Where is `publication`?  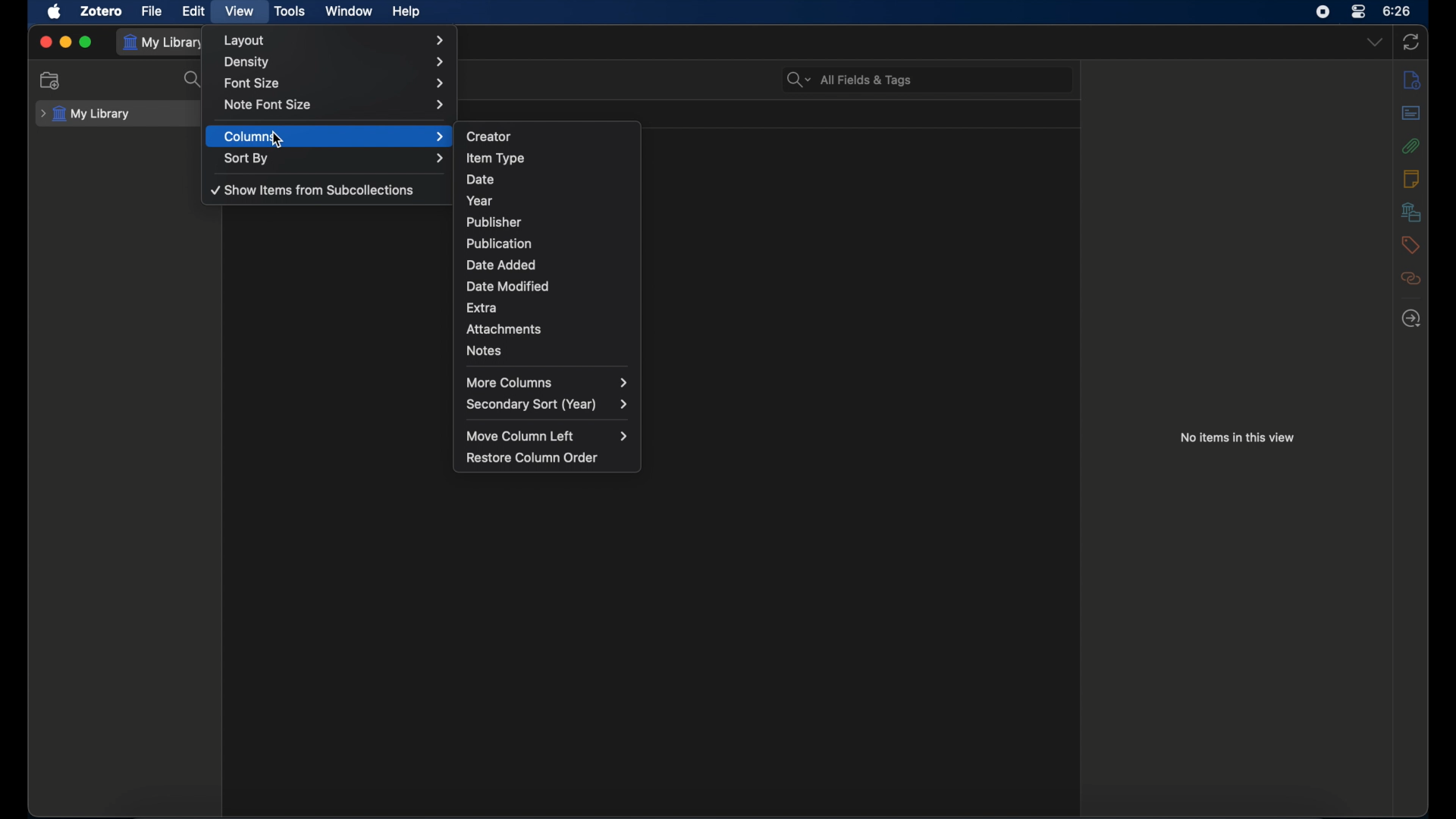 publication is located at coordinates (547, 243).